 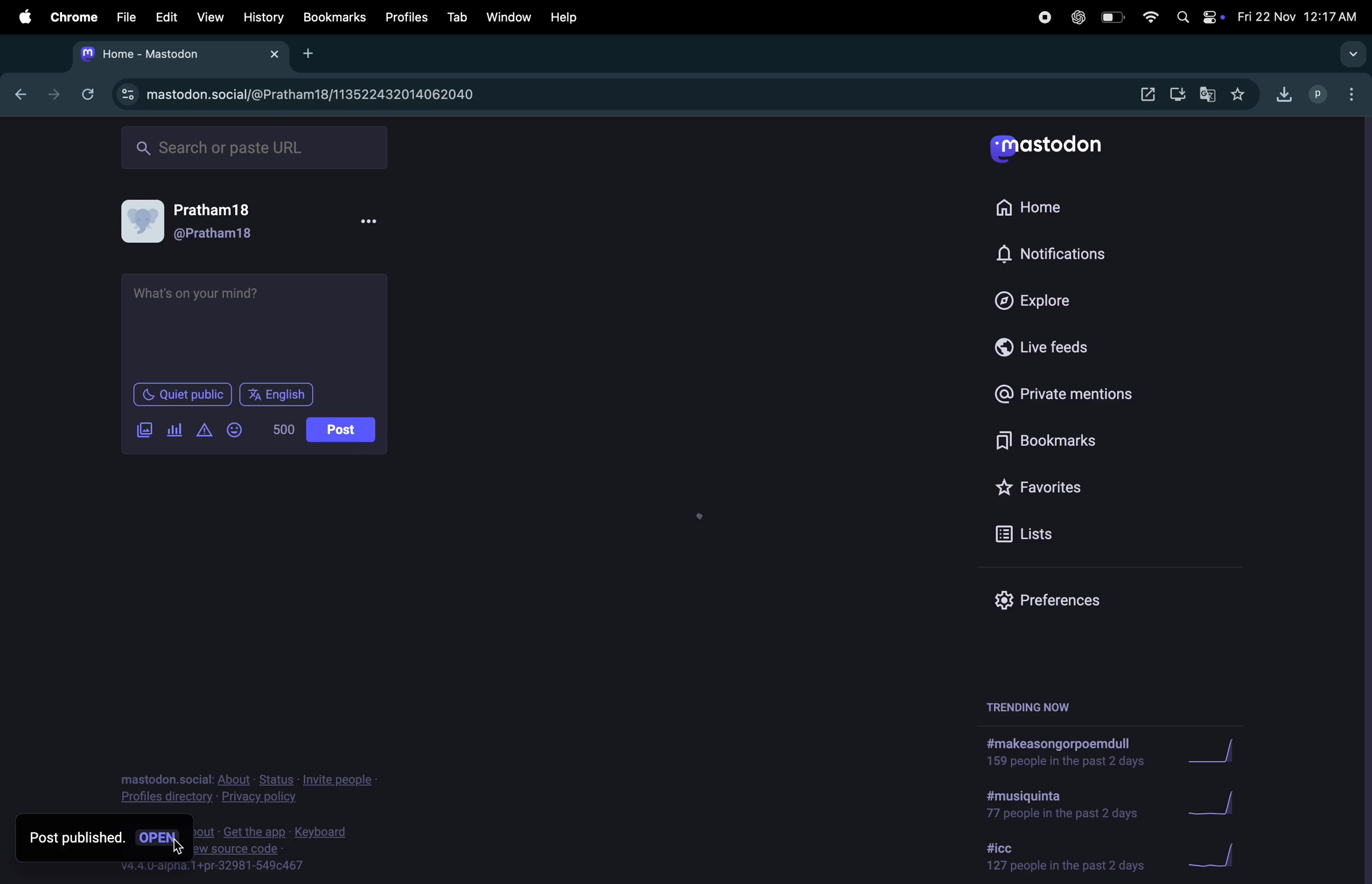 I want to click on hashtag, so click(x=1062, y=857).